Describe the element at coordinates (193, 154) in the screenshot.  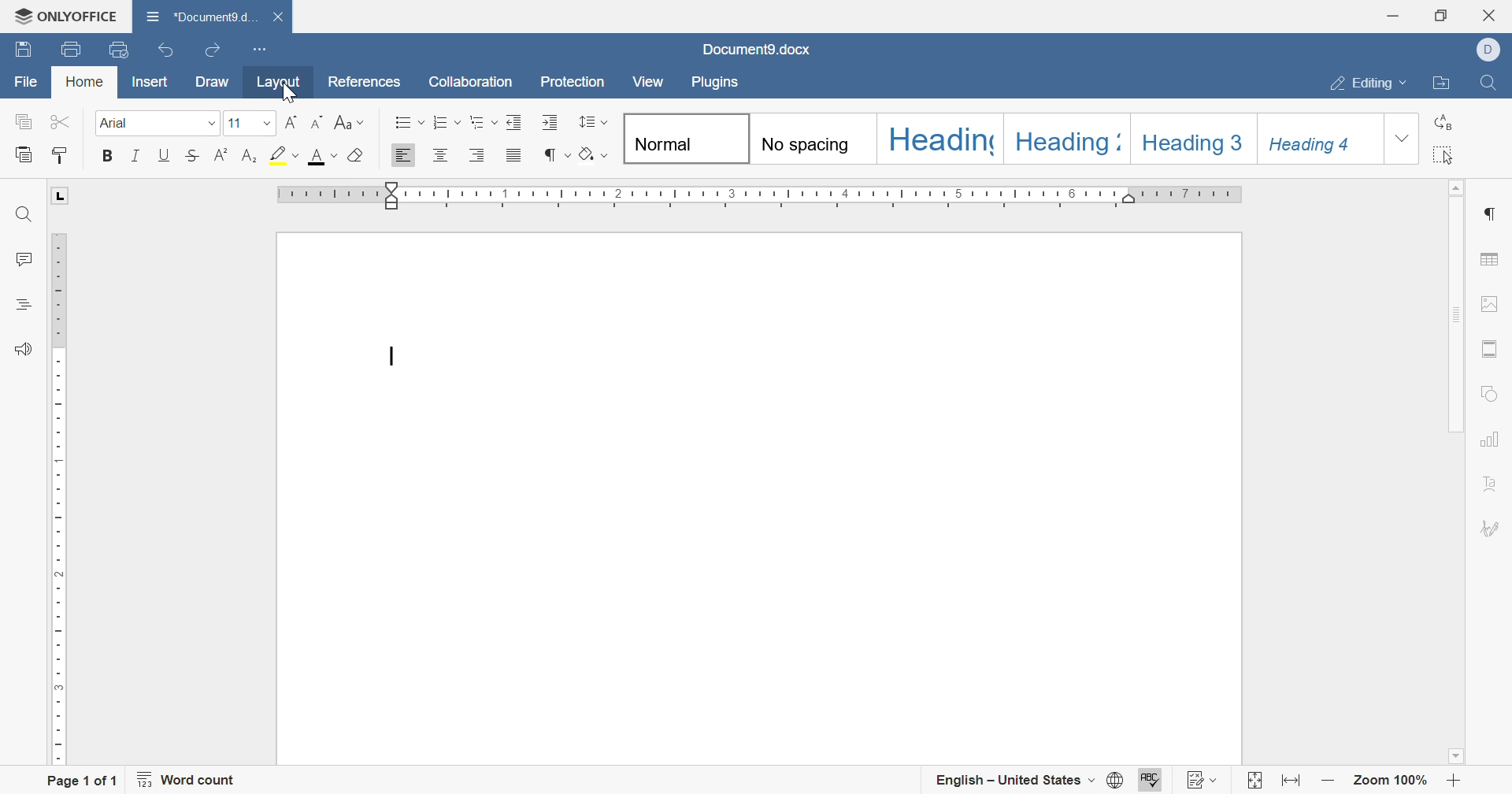
I see `strikethrough` at that location.